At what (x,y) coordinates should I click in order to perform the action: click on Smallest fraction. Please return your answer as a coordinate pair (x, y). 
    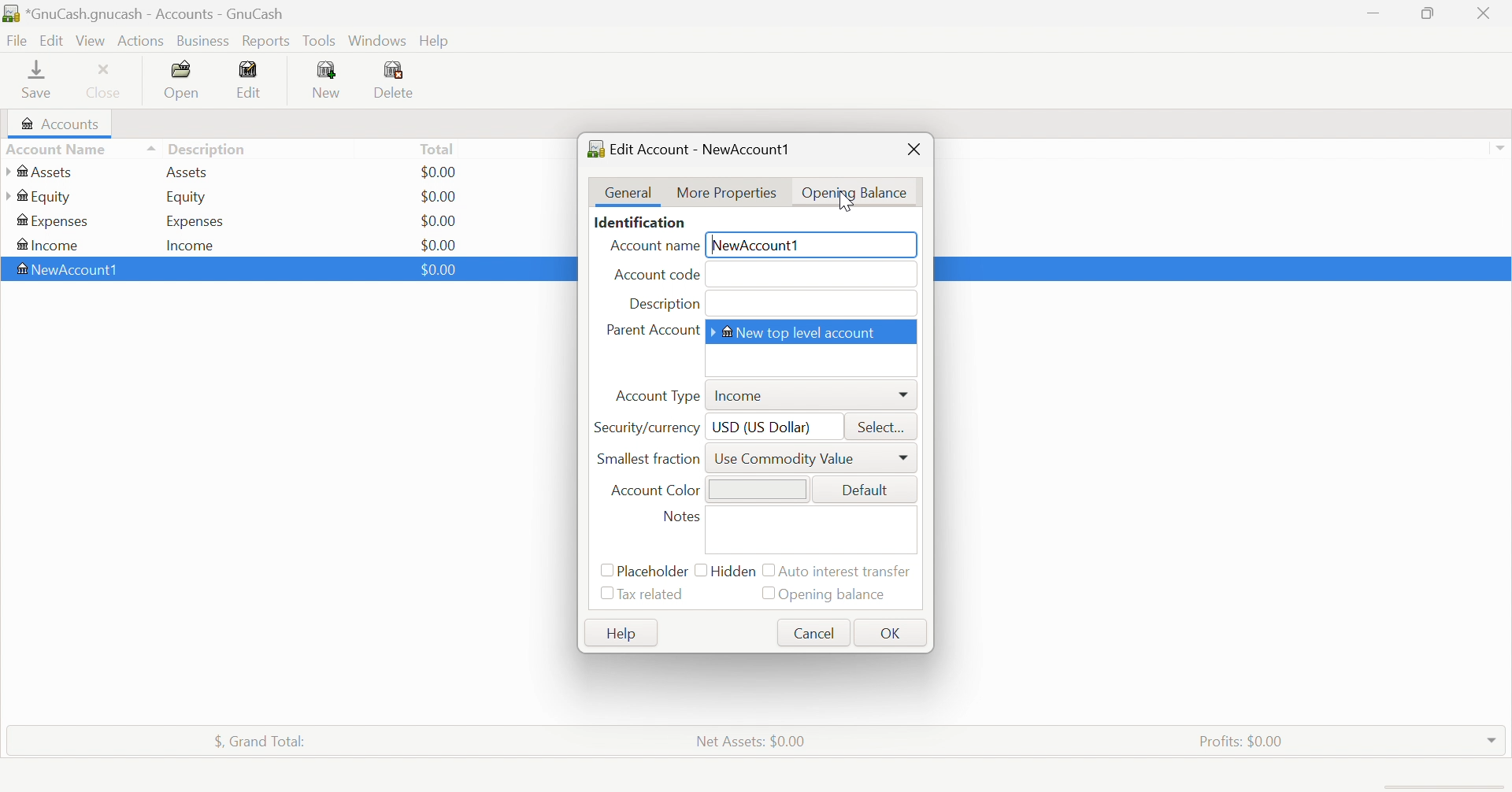
    Looking at the image, I should click on (647, 457).